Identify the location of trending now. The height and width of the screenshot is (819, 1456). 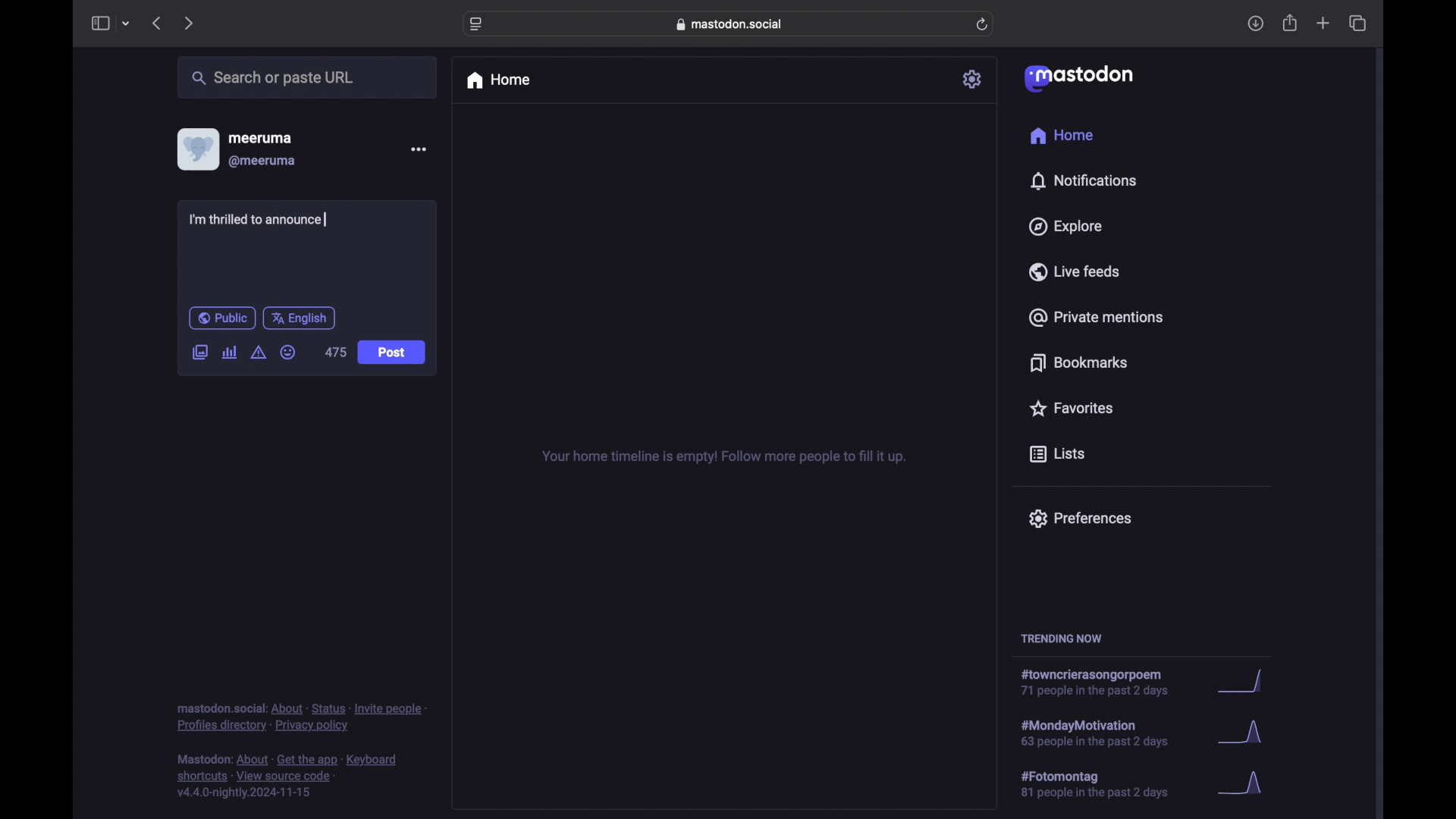
(1061, 639).